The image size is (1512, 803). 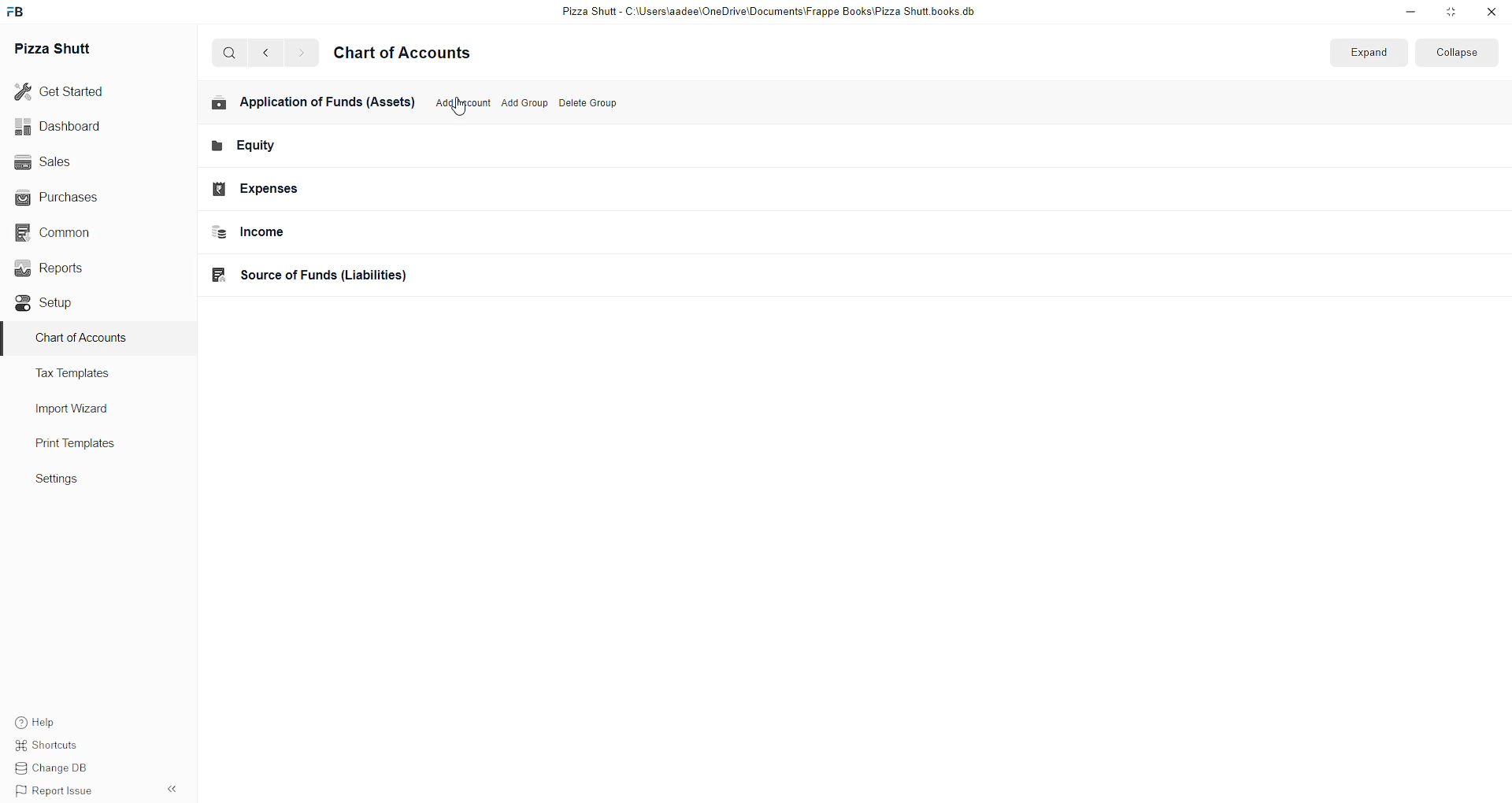 What do you see at coordinates (460, 105) in the screenshot?
I see `Add Account ` at bounding box center [460, 105].